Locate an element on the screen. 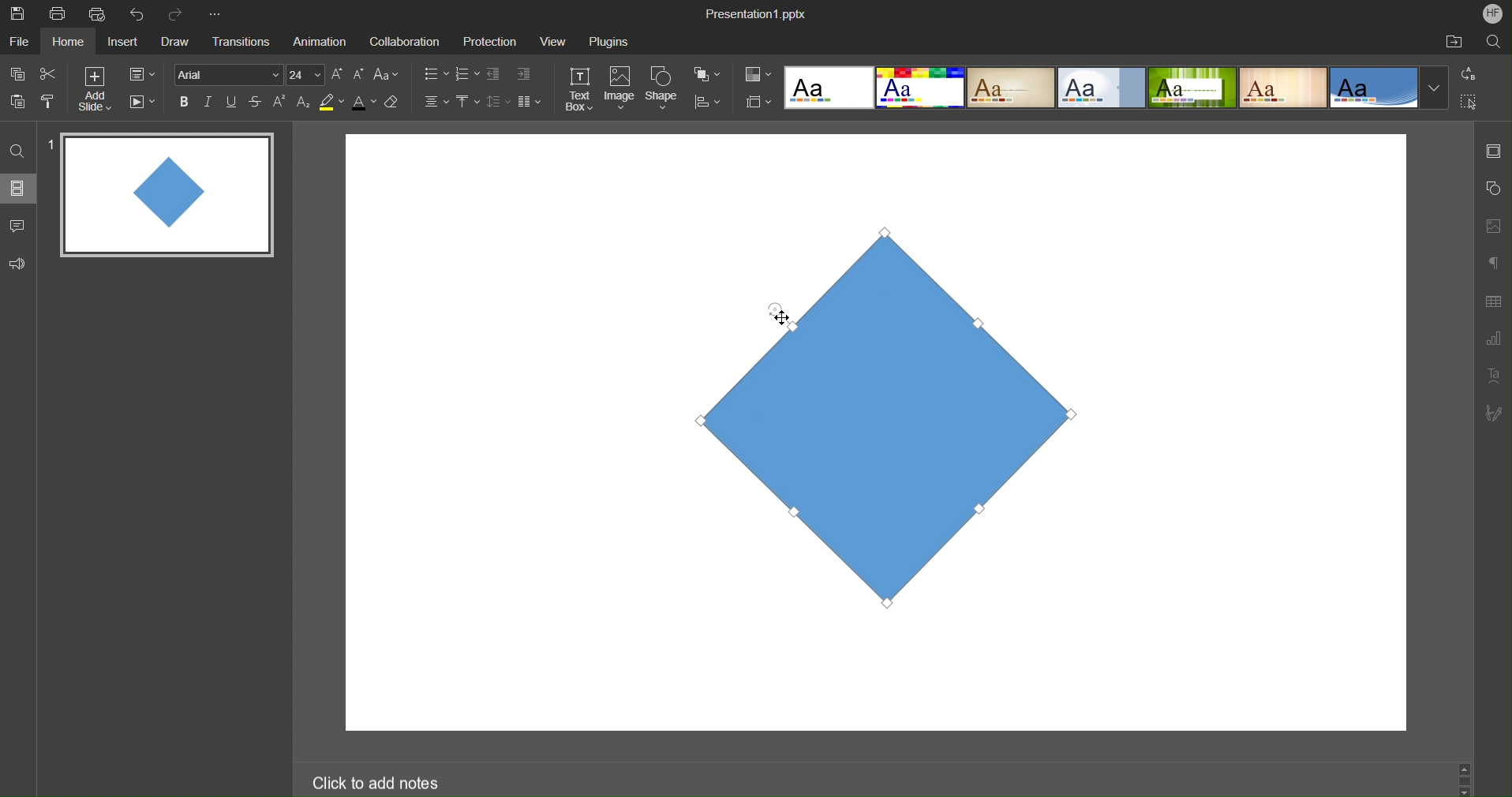 This screenshot has height=797, width=1512. Font is located at coordinates (228, 75).